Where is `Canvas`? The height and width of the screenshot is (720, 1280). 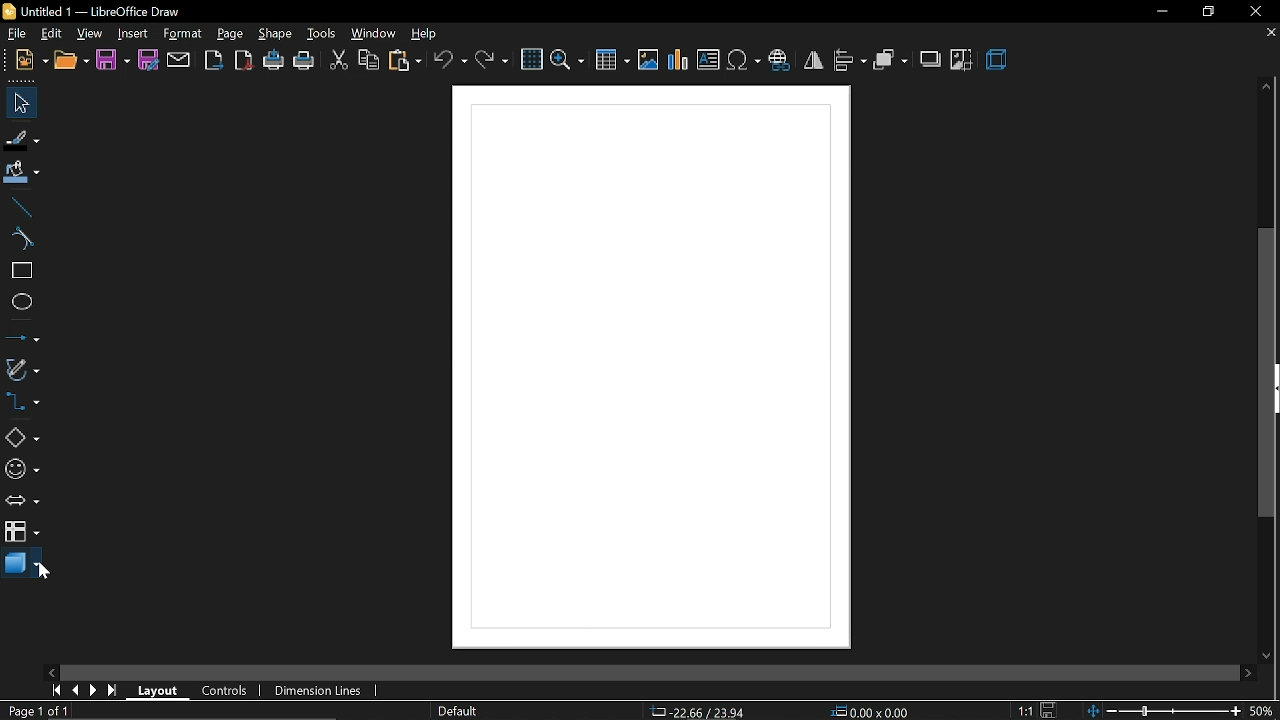
Canvas is located at coordinates (649, 369).